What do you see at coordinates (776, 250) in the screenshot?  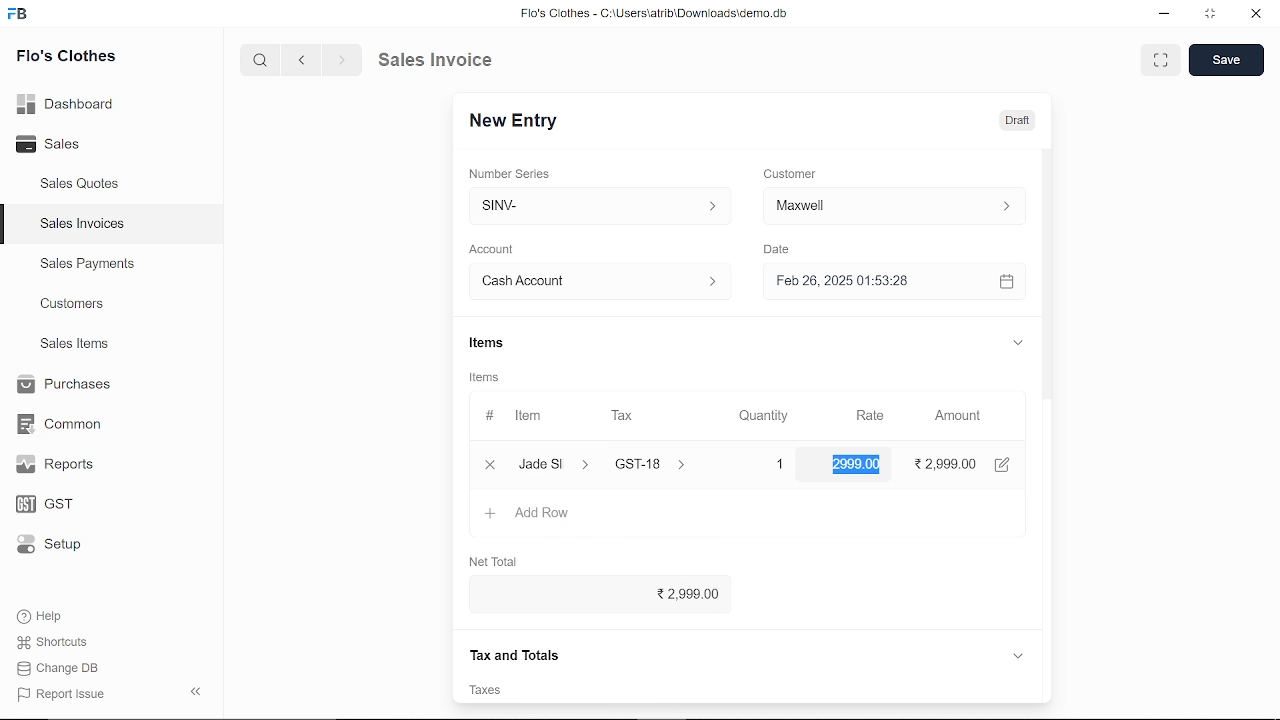 I see `Date` at bounding box center [776, 250].